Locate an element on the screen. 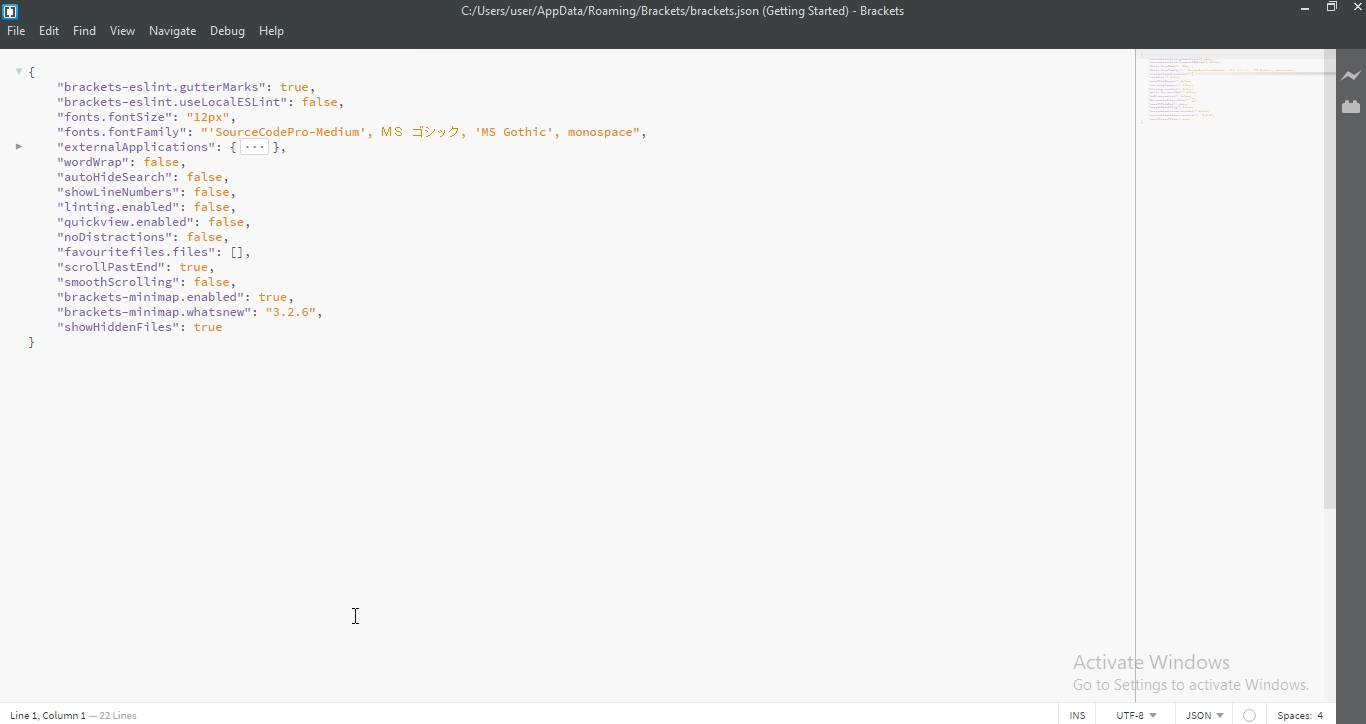 The image size is (1366, 724). Find is located at coordinates (85, 30).